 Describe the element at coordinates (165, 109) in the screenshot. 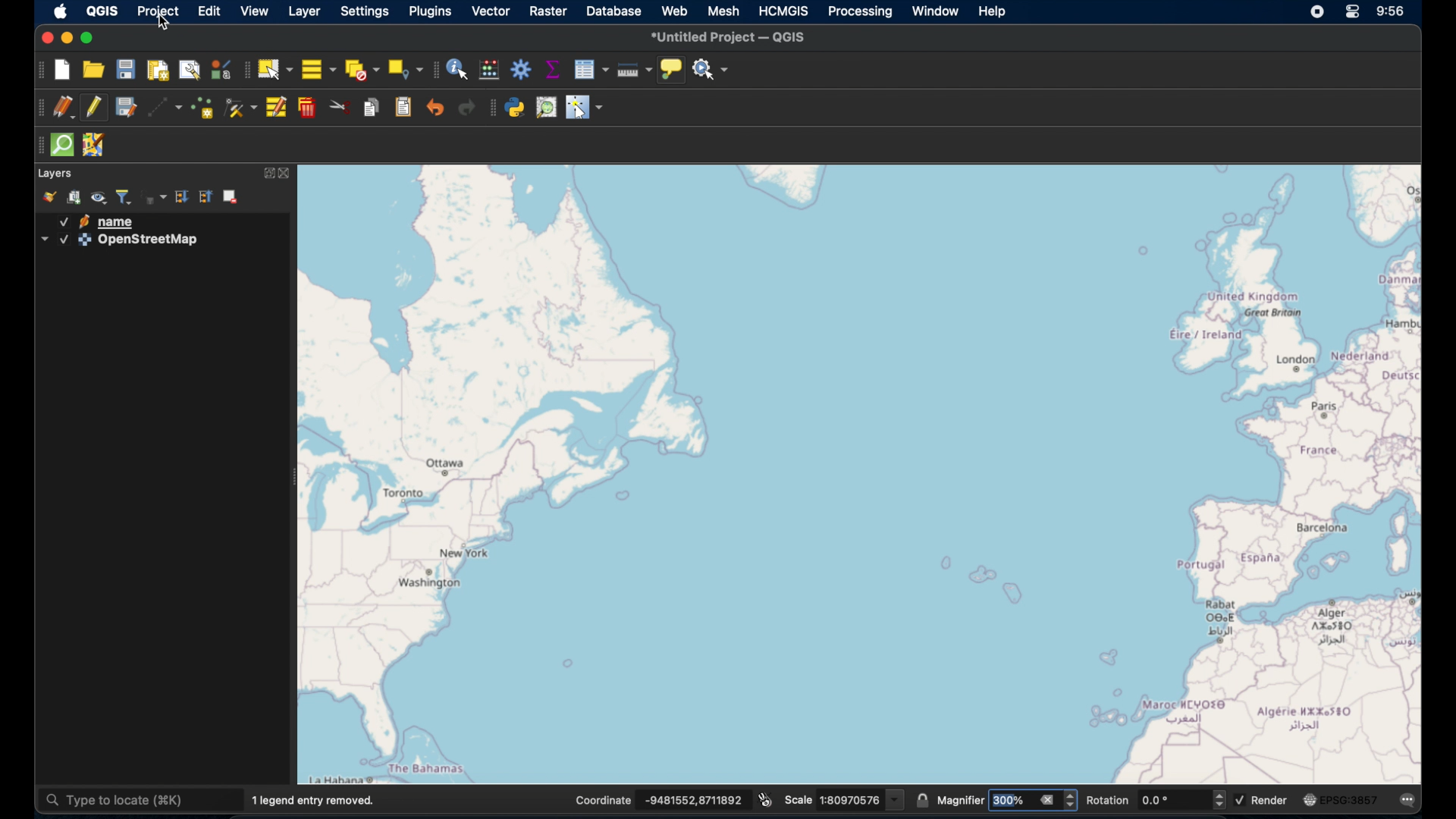

I see `digitize with segment` at that location.